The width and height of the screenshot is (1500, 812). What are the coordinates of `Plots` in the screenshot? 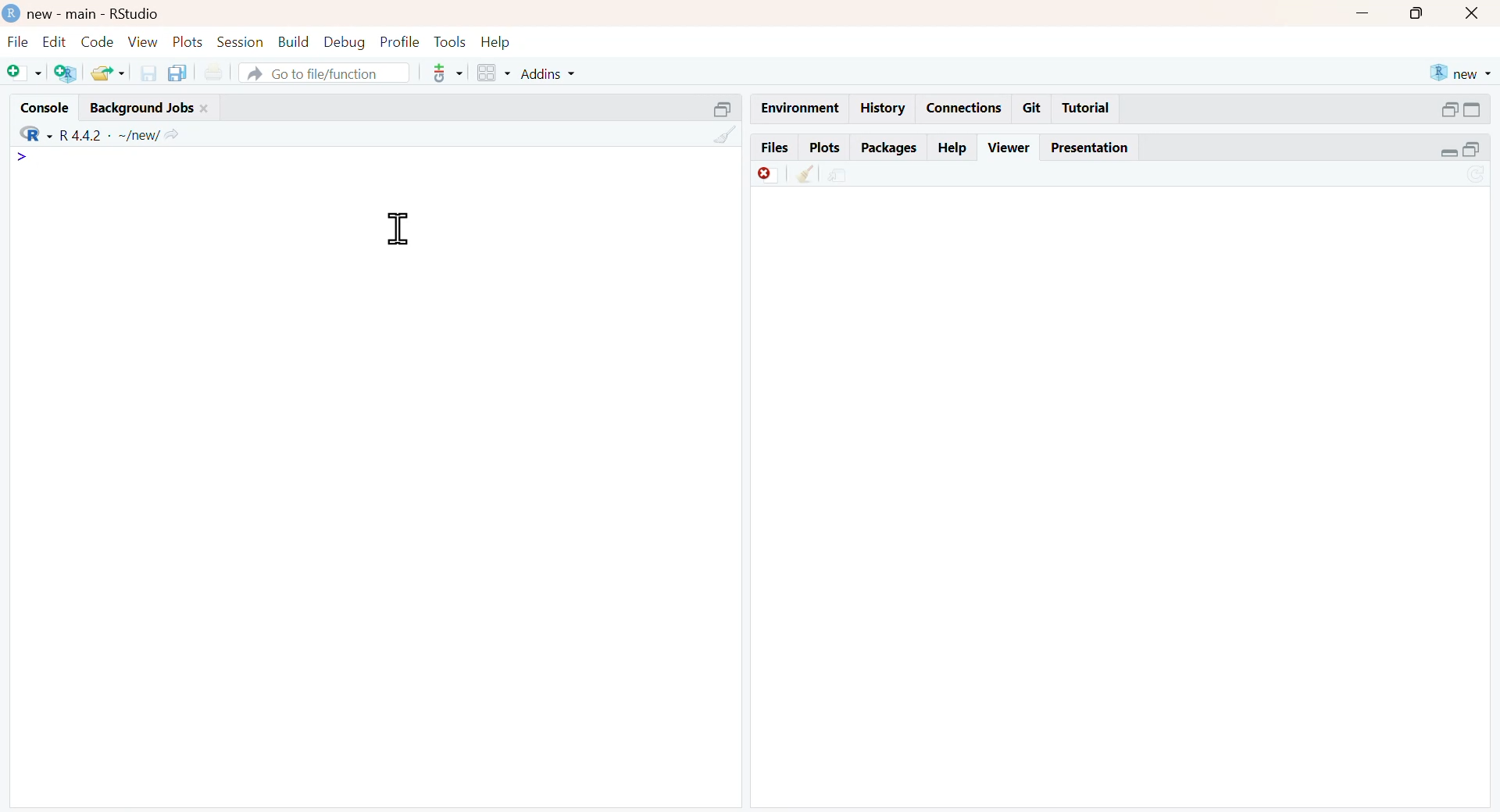 It's located at (186, 40).